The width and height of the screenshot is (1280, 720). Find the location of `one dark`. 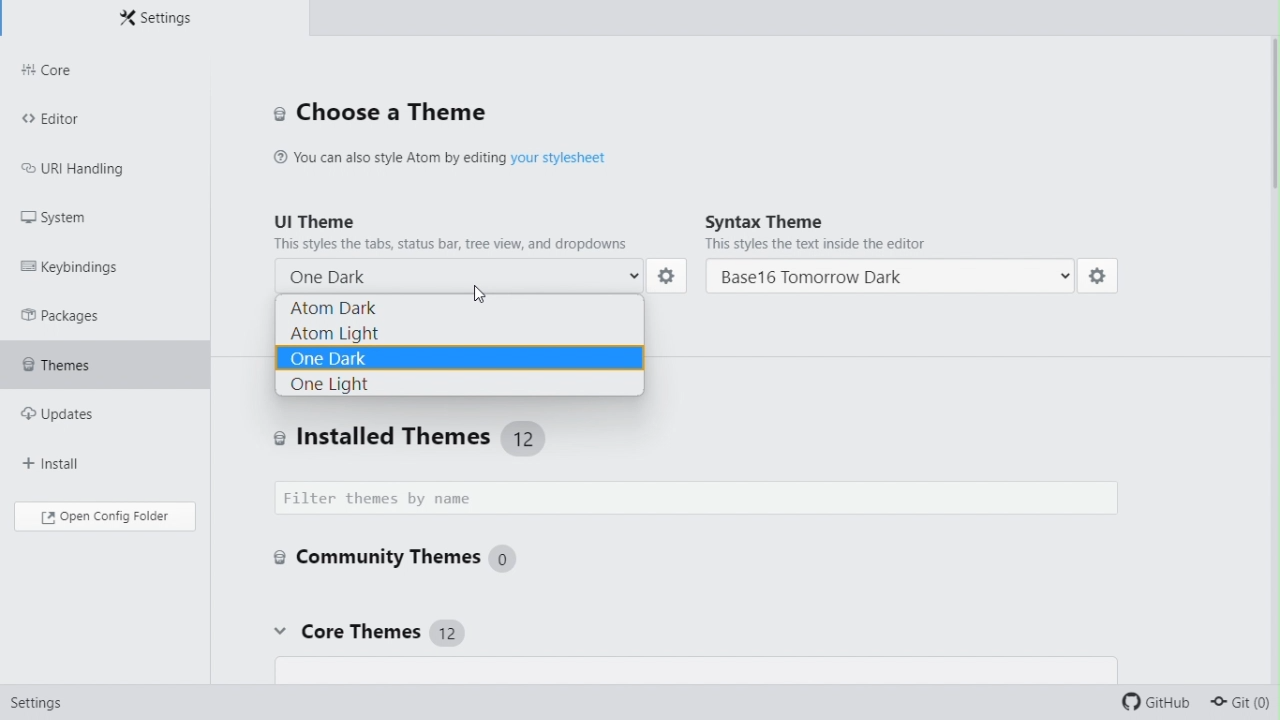

one dark is located at coordinates (461, 355).